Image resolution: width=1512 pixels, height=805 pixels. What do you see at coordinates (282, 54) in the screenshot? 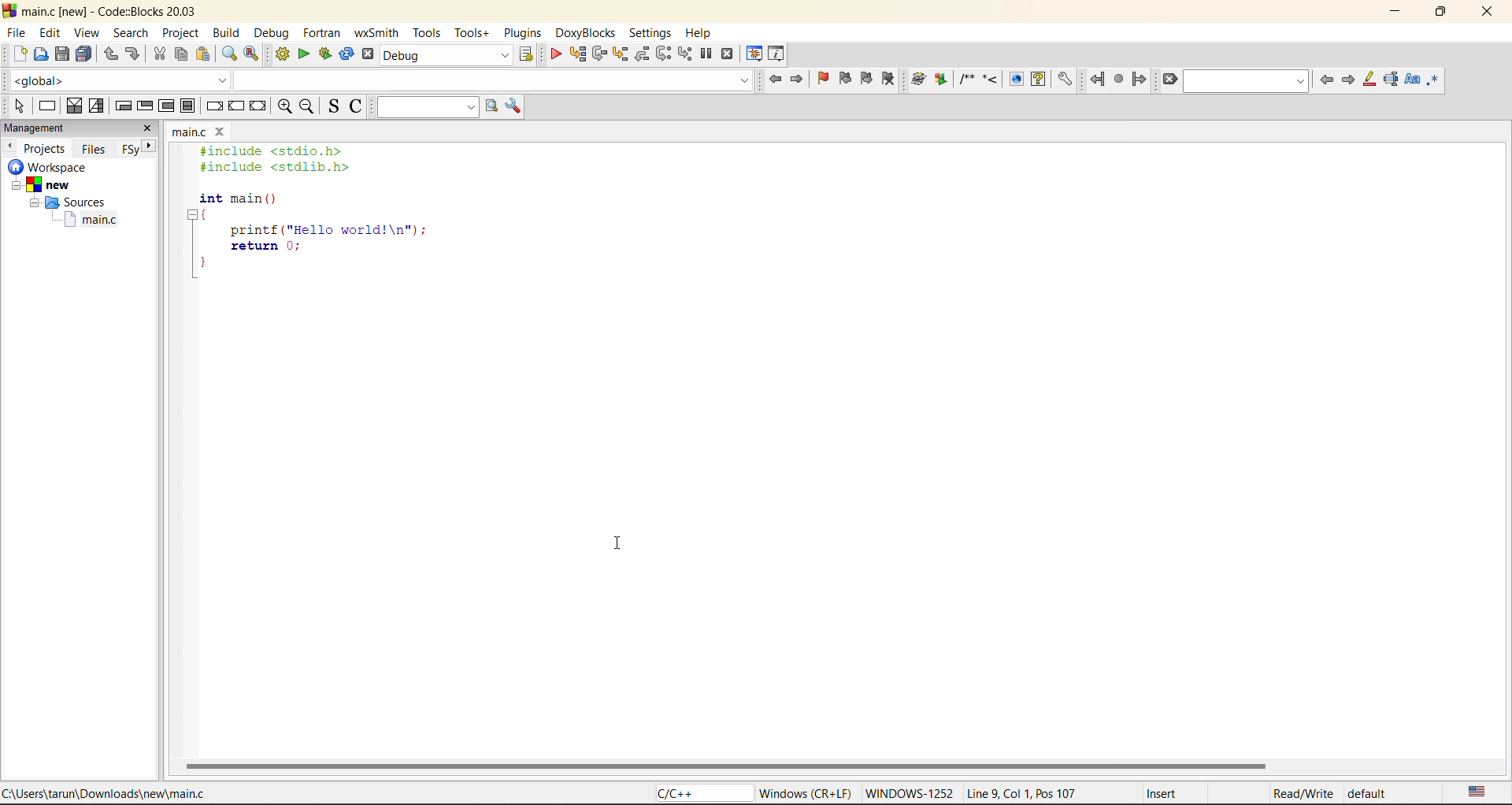
I see `build` at bounding box center [282, 54].